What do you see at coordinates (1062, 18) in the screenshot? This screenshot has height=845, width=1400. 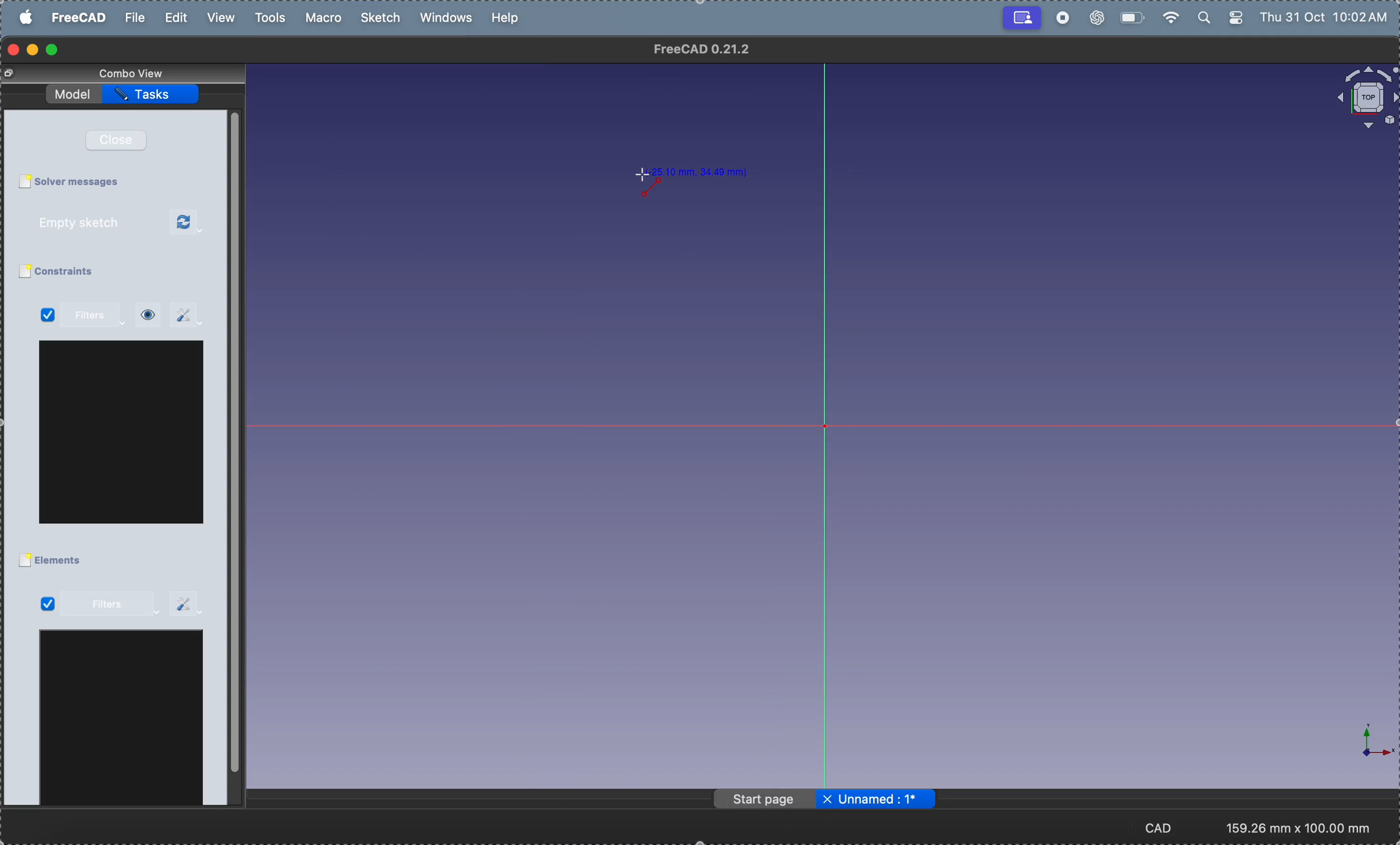 I see `record` at bounding box center [1062, 18].